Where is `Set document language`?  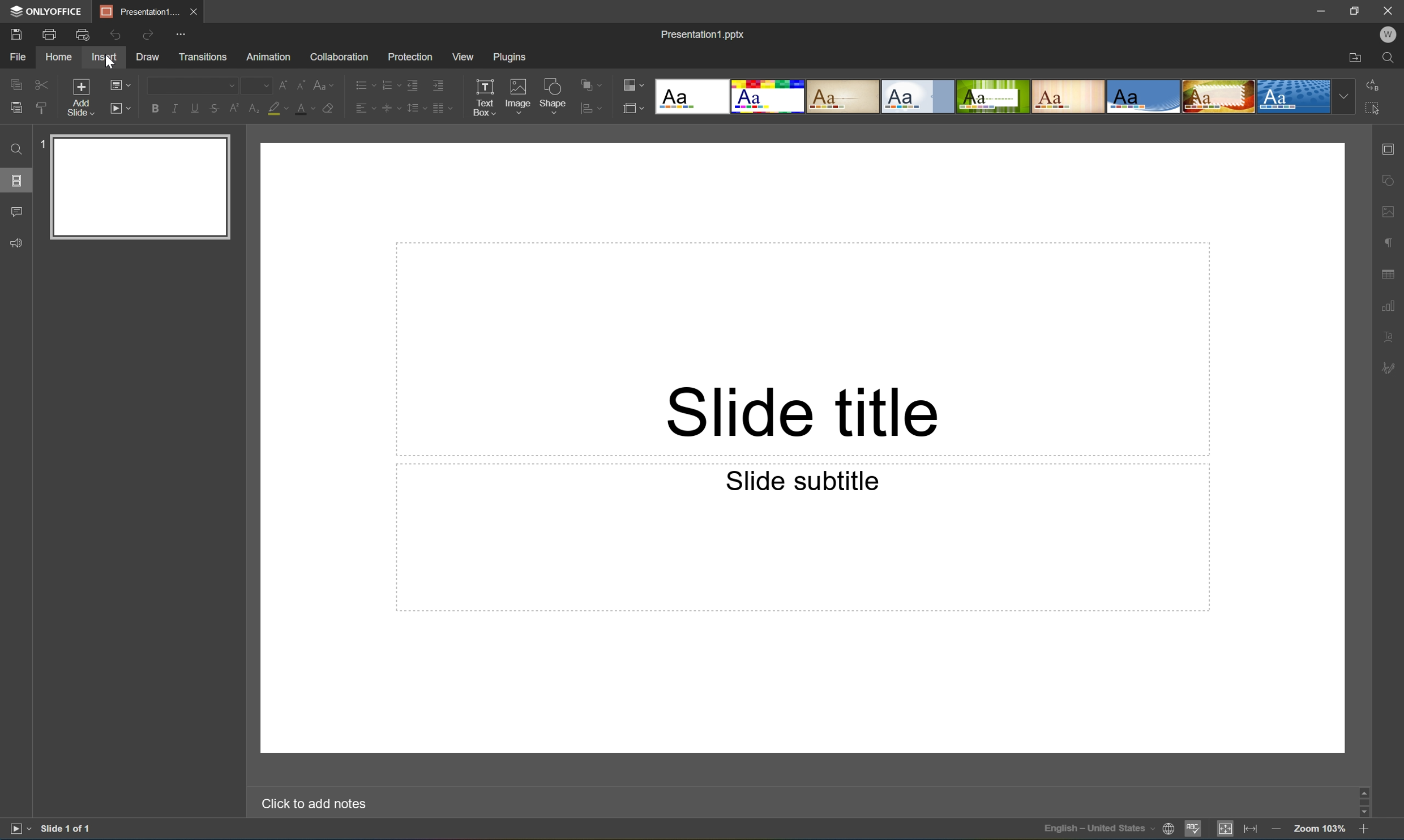 Set document language is located at coordinates (1169, 830).